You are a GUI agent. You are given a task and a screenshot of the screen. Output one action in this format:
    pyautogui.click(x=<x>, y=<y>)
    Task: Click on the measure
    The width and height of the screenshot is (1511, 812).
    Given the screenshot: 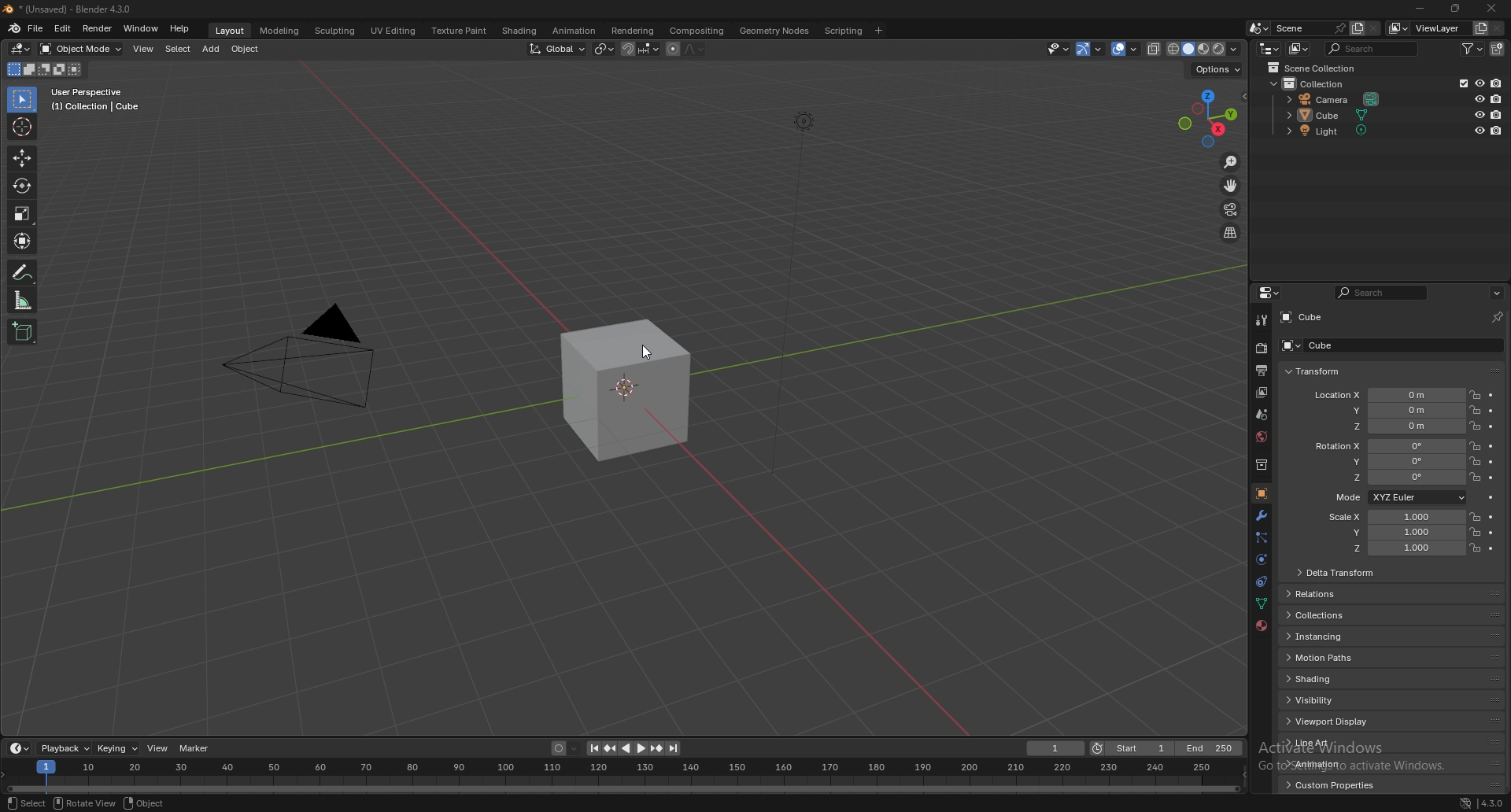 What is the action you would take?
    pyautogui.click(x=24, y=300)
    